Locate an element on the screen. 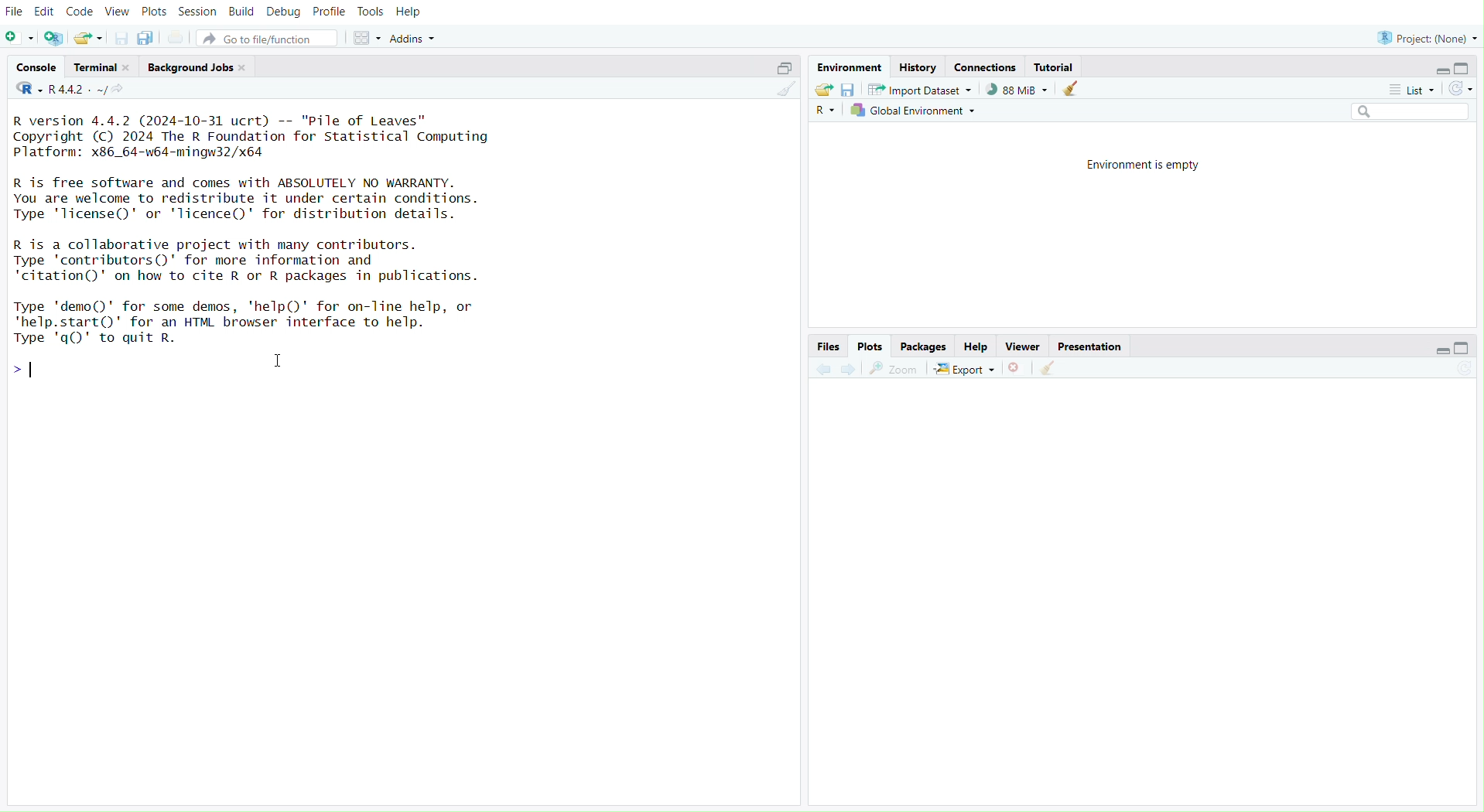 This screenshot has height=812, width=1484. Profile is located at coordinates (327, 14).